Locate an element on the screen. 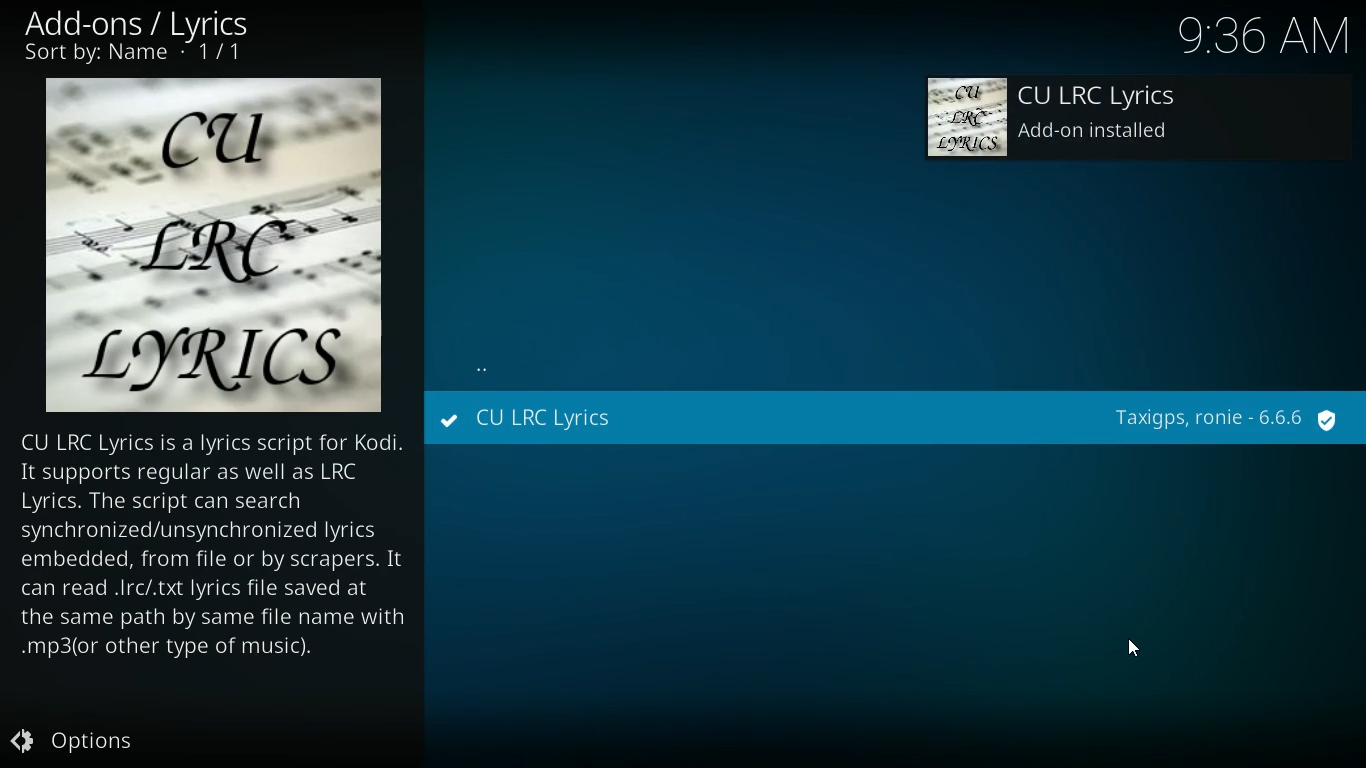  add-on installed is located at coordinates (1125, 124).